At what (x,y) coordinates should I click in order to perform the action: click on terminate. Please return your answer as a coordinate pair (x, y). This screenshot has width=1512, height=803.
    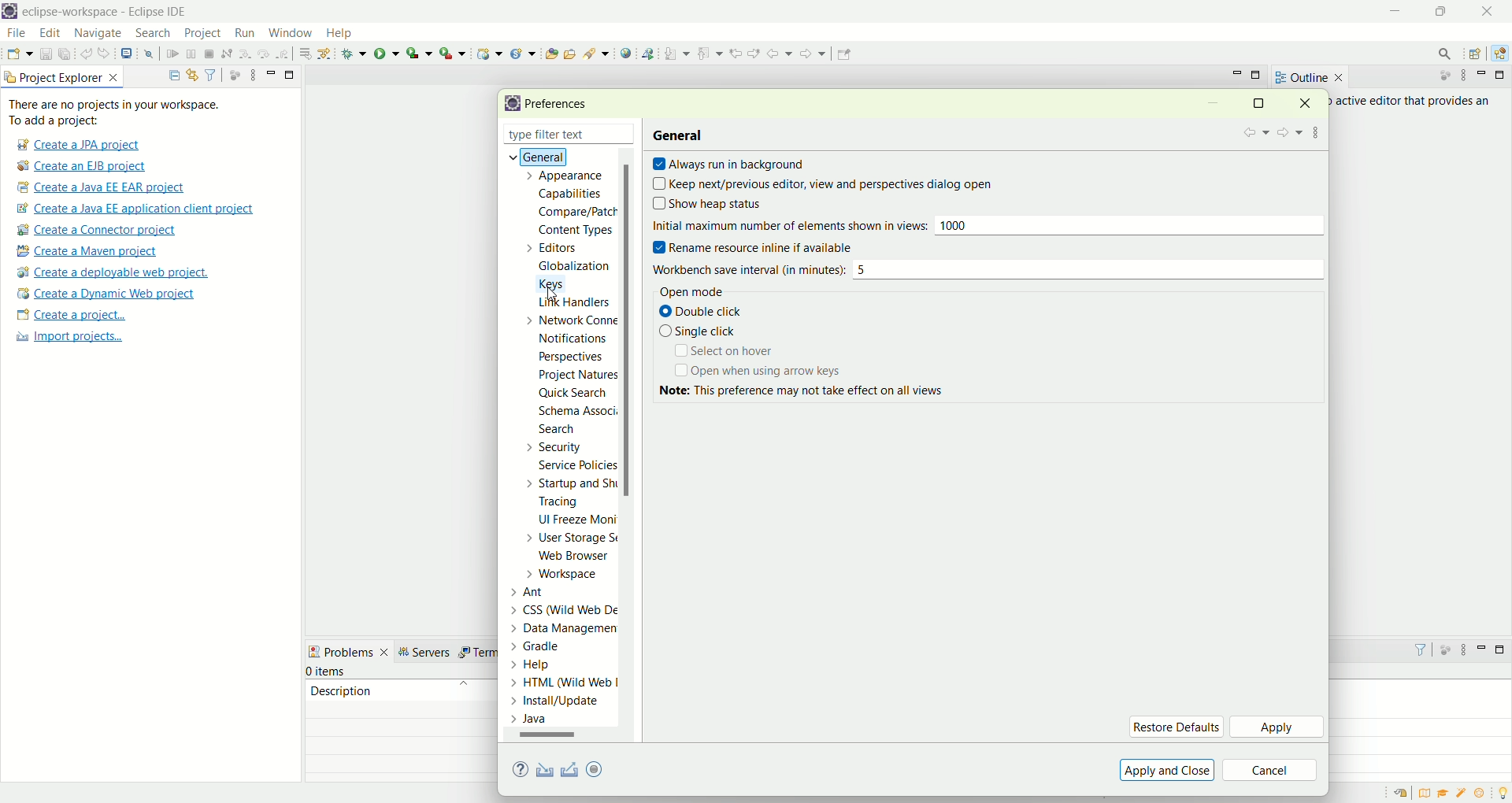
    Looking at the image, I should click on (209, 55).